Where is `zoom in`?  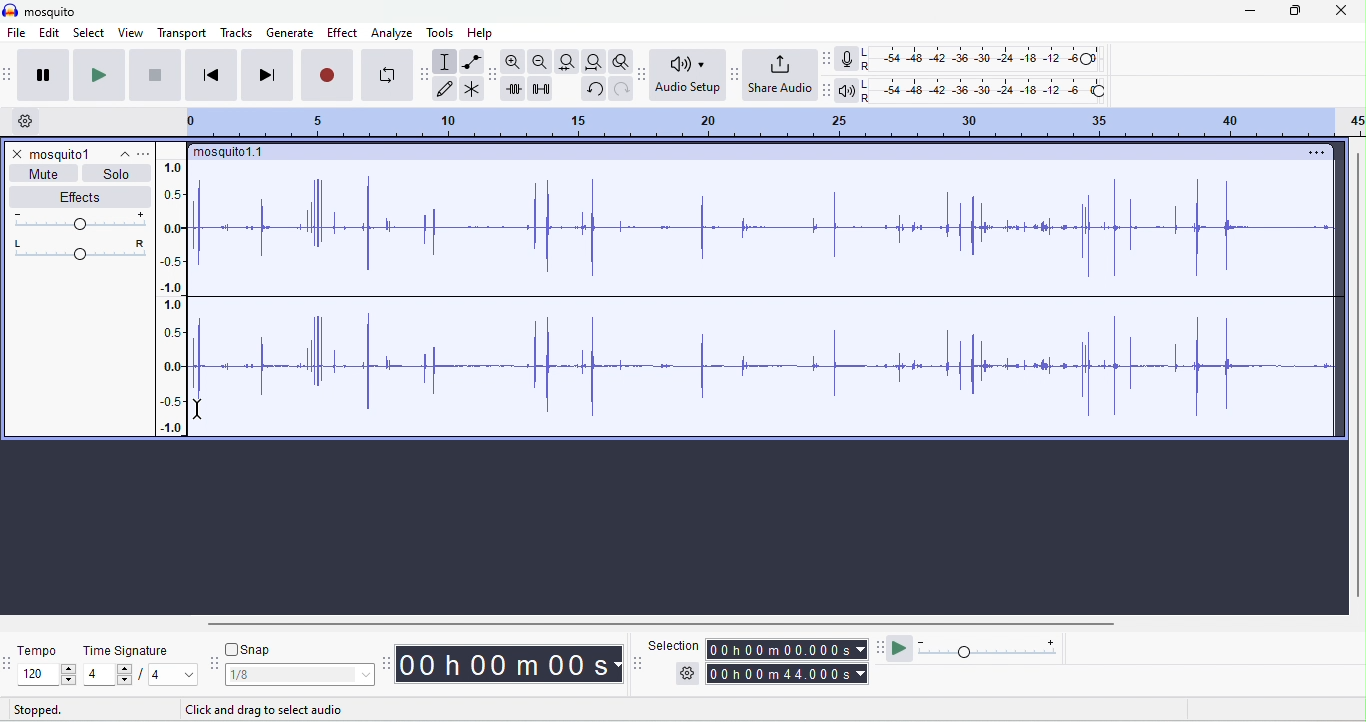 zoom in is located at coordinates (514, 62).